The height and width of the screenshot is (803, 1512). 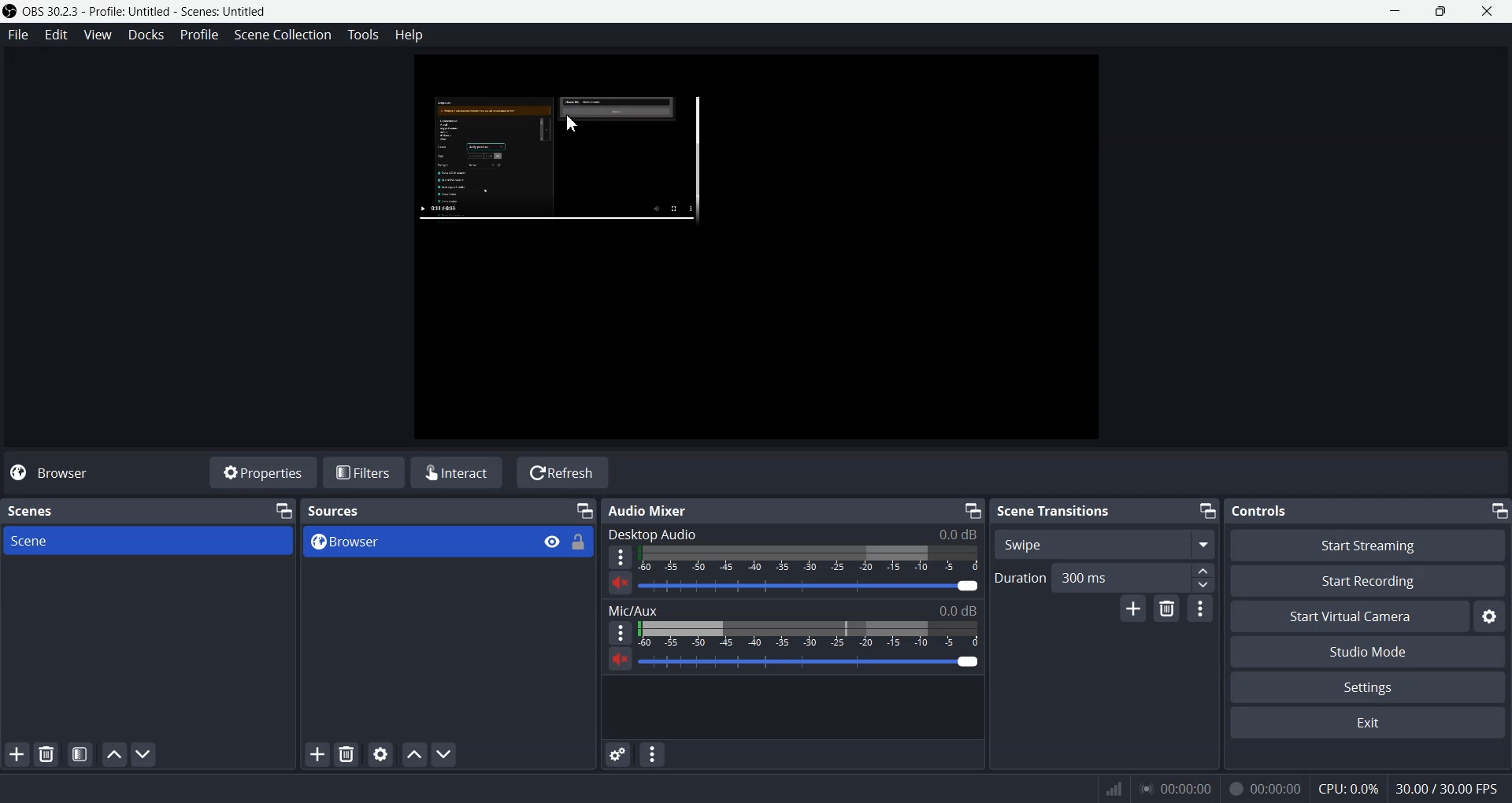 I want to click on Preview Mode, so click(x=755, y=250).